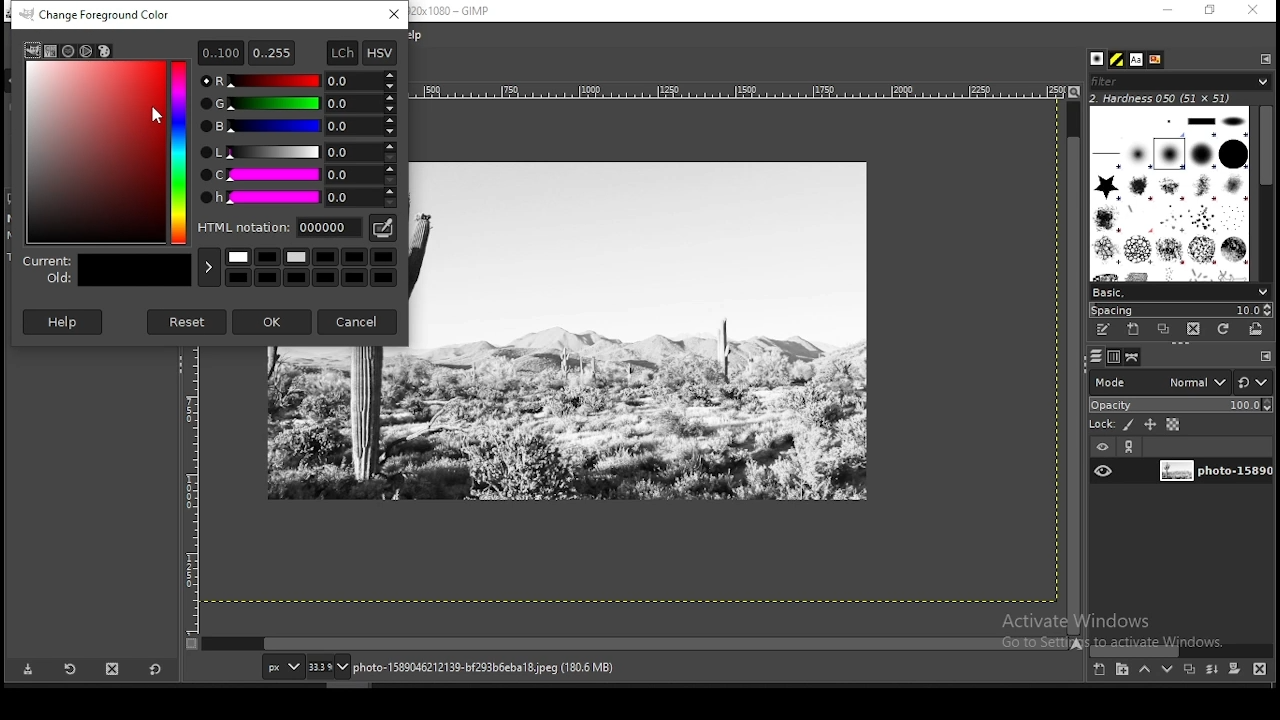  Describe the element at coordinates (1252, 10) in the screenshot. I see `close window` at that location.